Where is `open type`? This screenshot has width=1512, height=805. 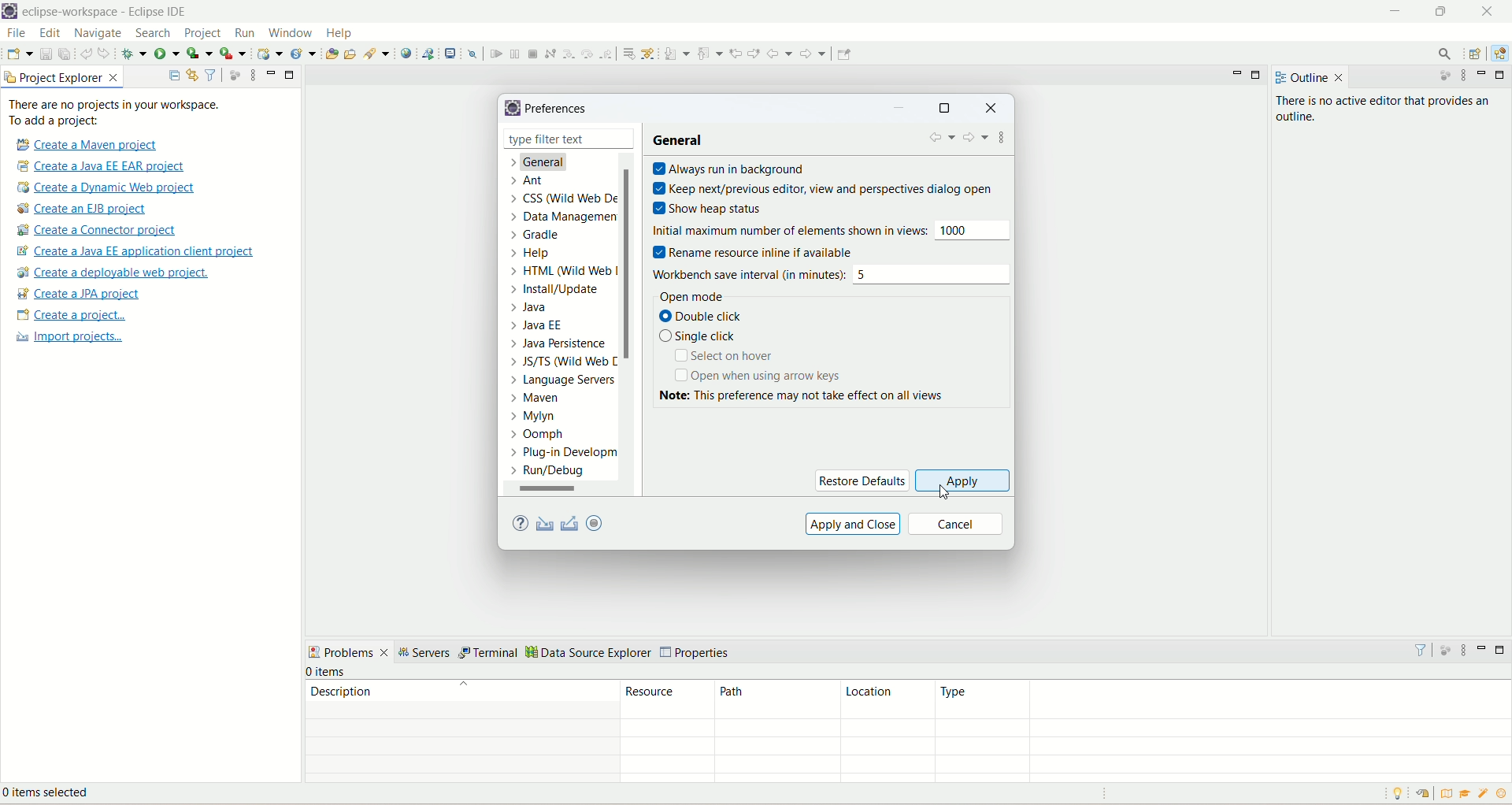
open type is located at coordinates (332, 52).